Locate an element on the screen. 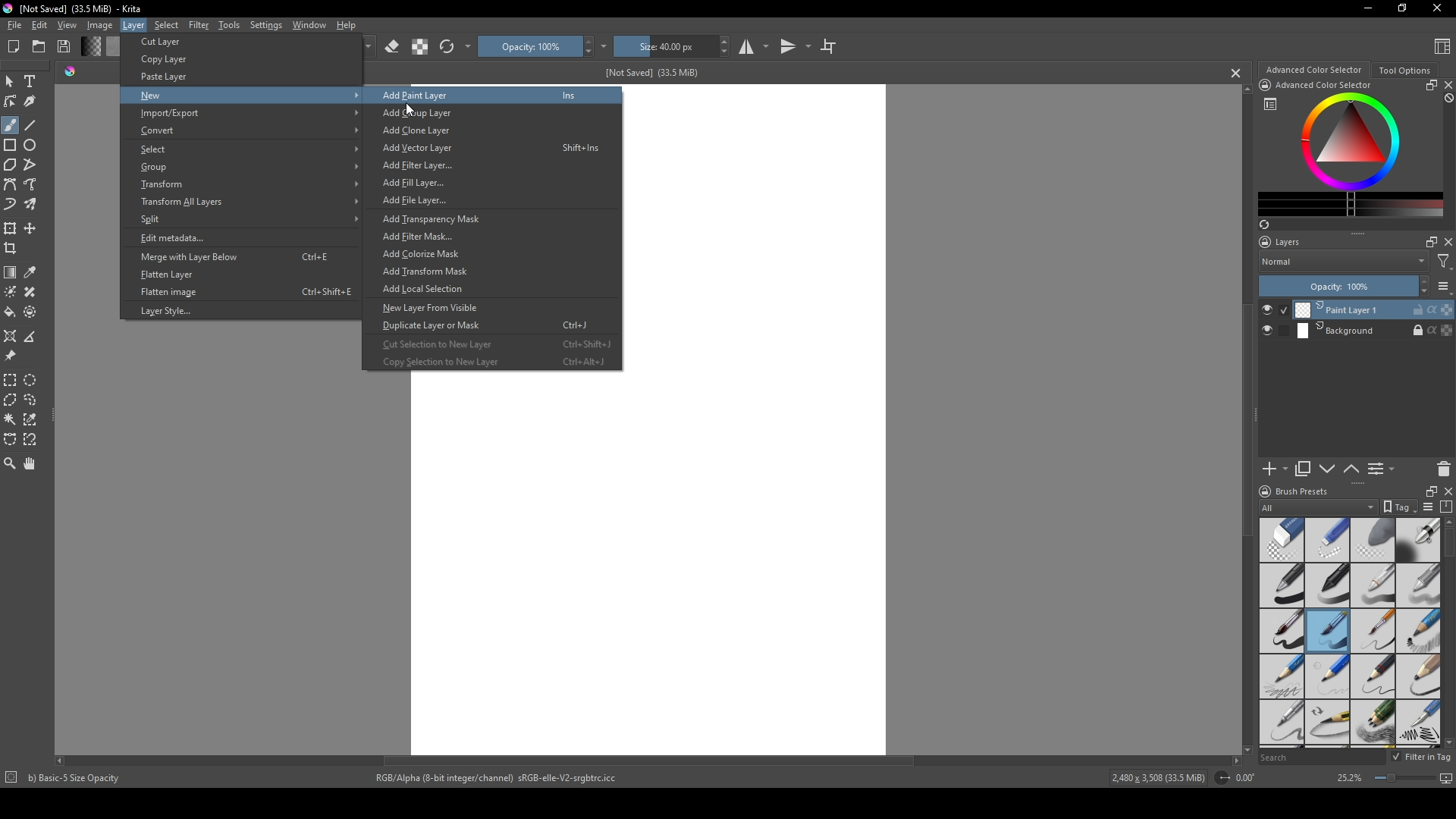 This screenshot has width=1456, height=819. Add Transform Mask is located at coordinates (425, 272).